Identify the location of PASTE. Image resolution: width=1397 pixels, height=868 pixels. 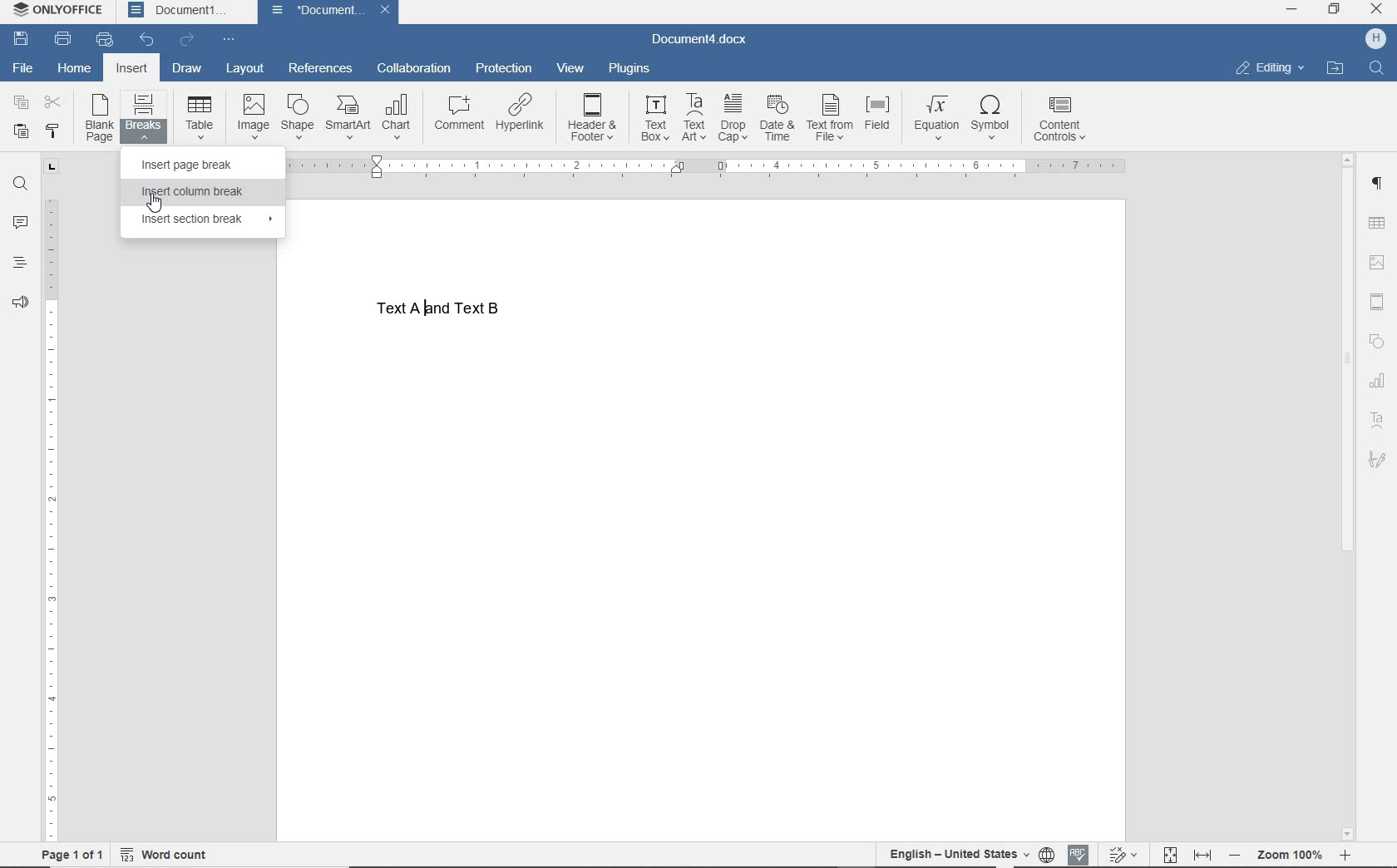
(21, 131).